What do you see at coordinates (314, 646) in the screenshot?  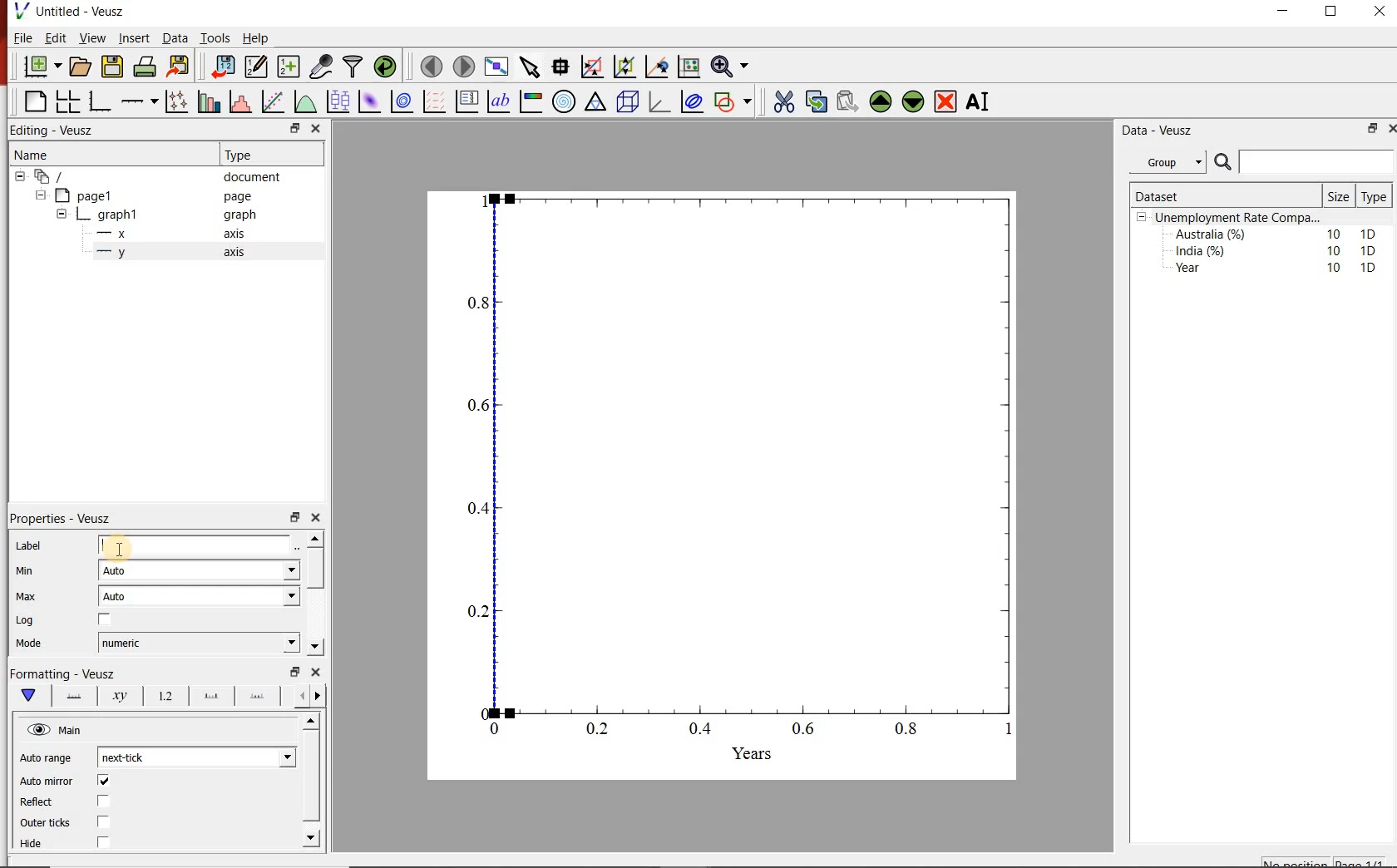 I see `move down` at bounding box center [314, 646].